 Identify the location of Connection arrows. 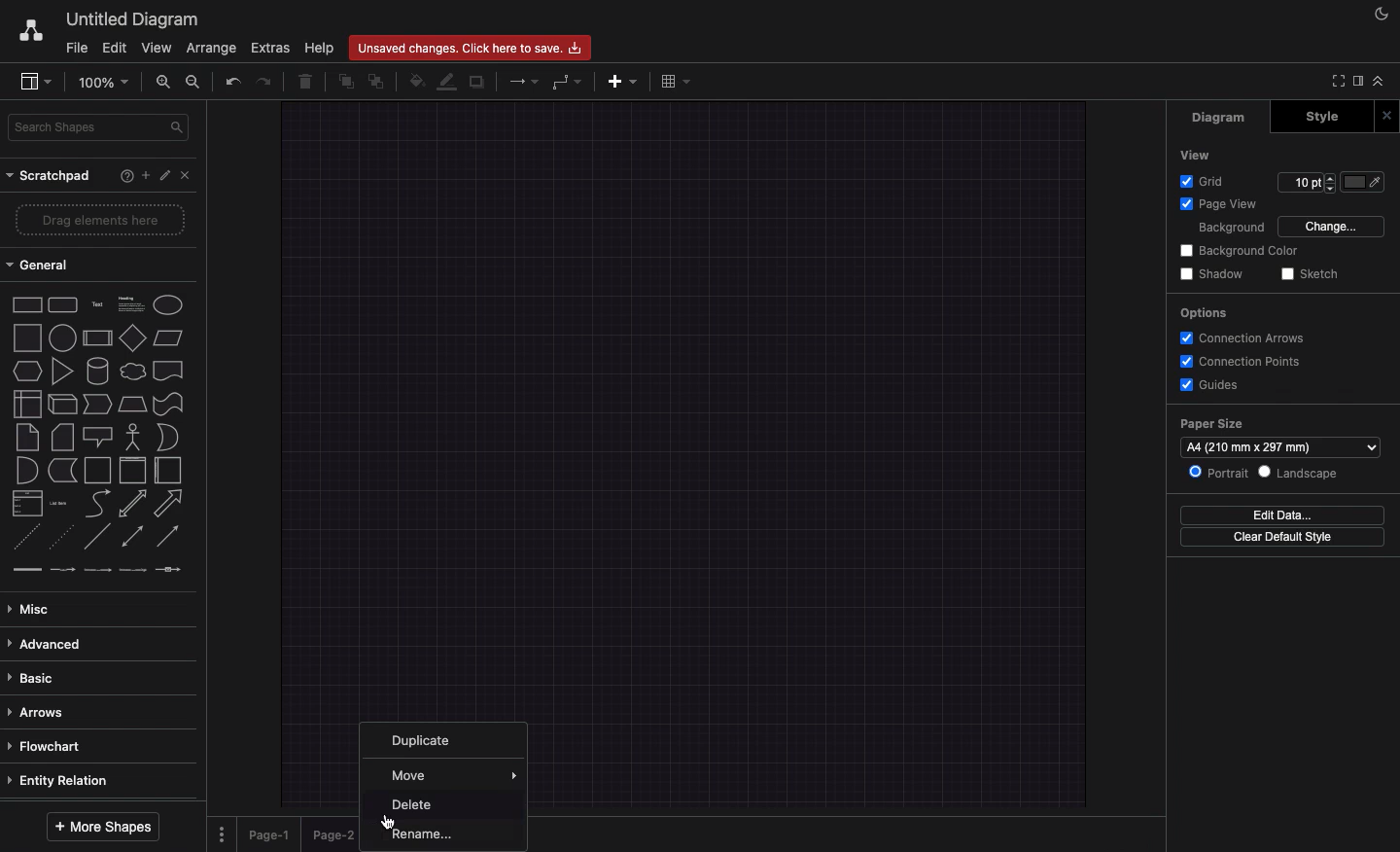
(1246, 337).